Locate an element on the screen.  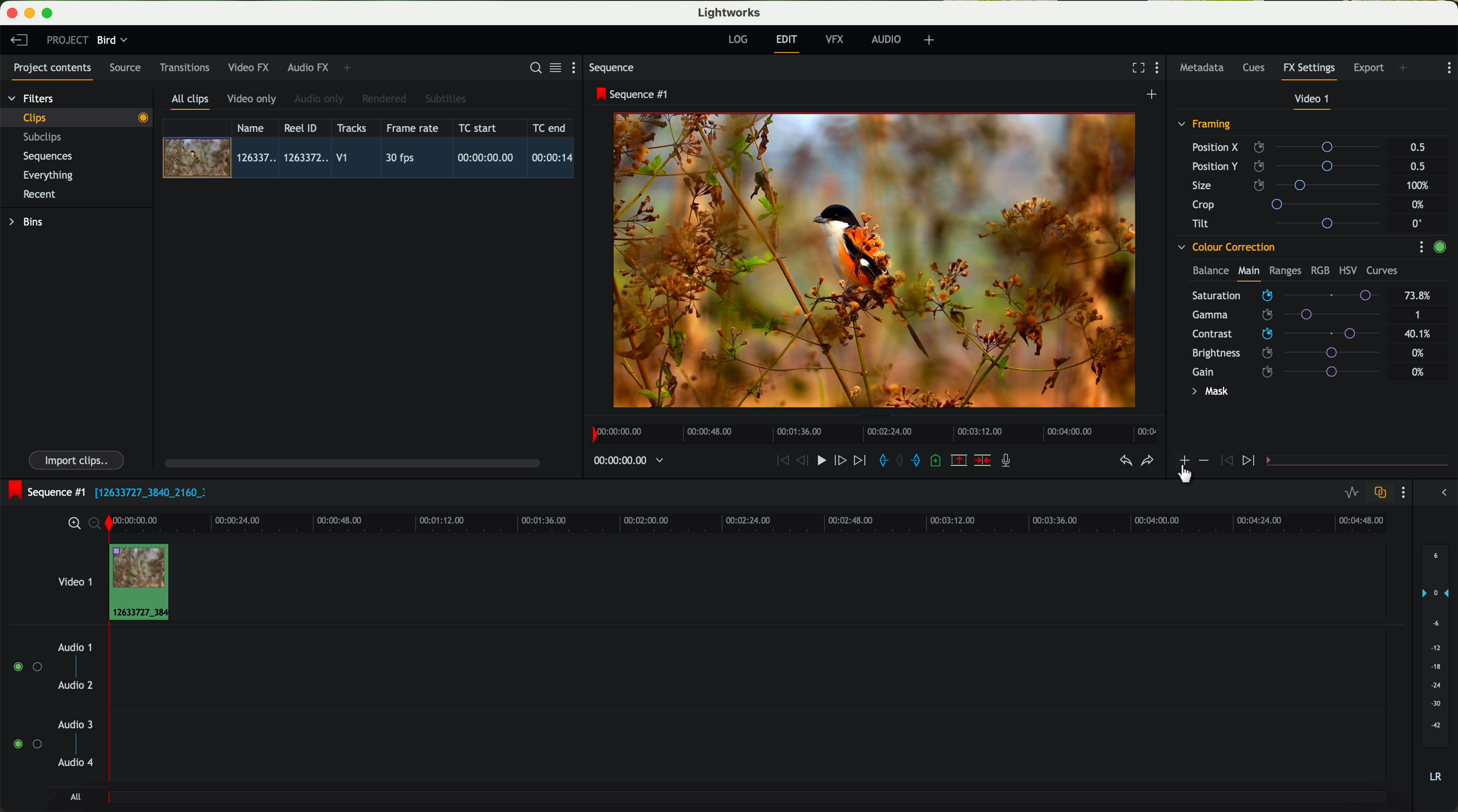
undo is located at coordinates (1125, 461).